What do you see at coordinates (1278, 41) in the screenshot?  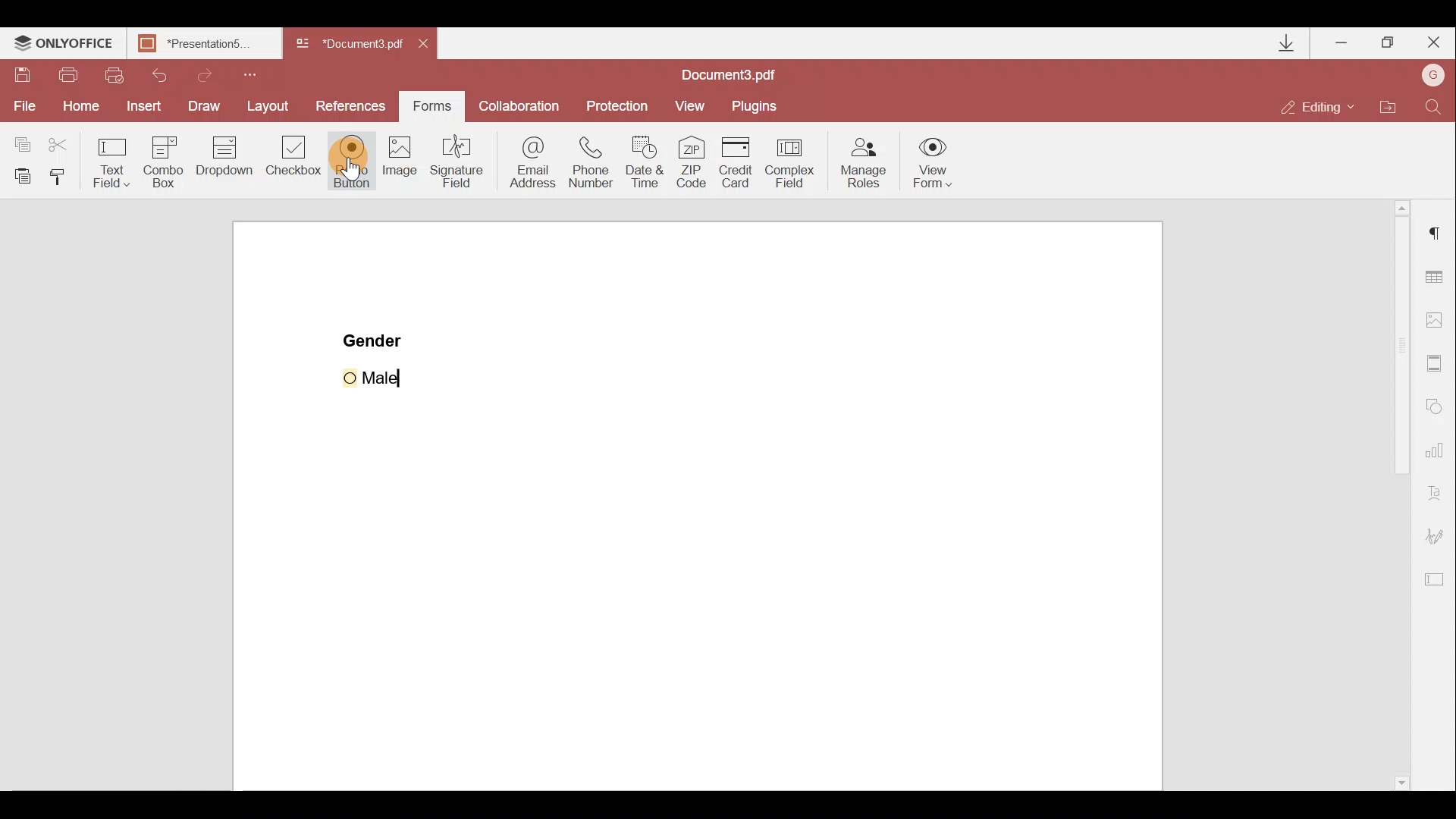 I see `Downloads` at bounding box center [1278, 41].